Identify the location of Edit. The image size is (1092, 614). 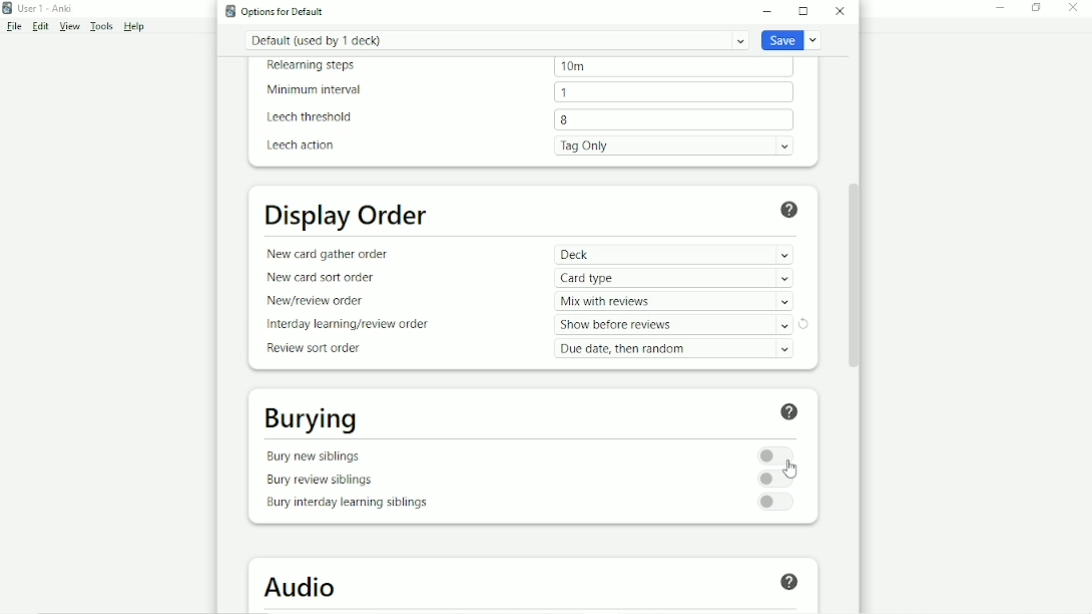
(41, 26).